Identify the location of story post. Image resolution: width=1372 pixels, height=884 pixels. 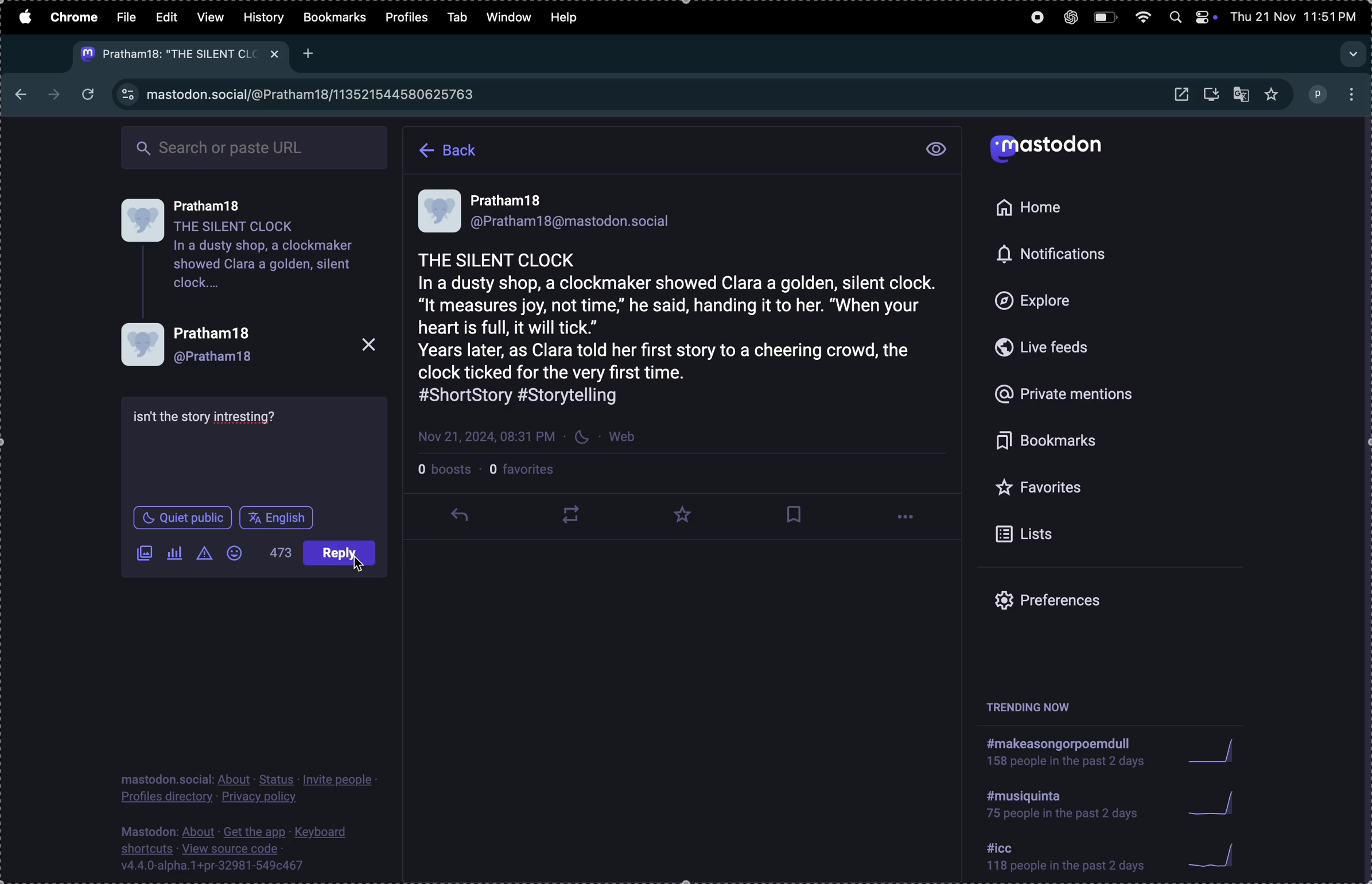
(684, 315).